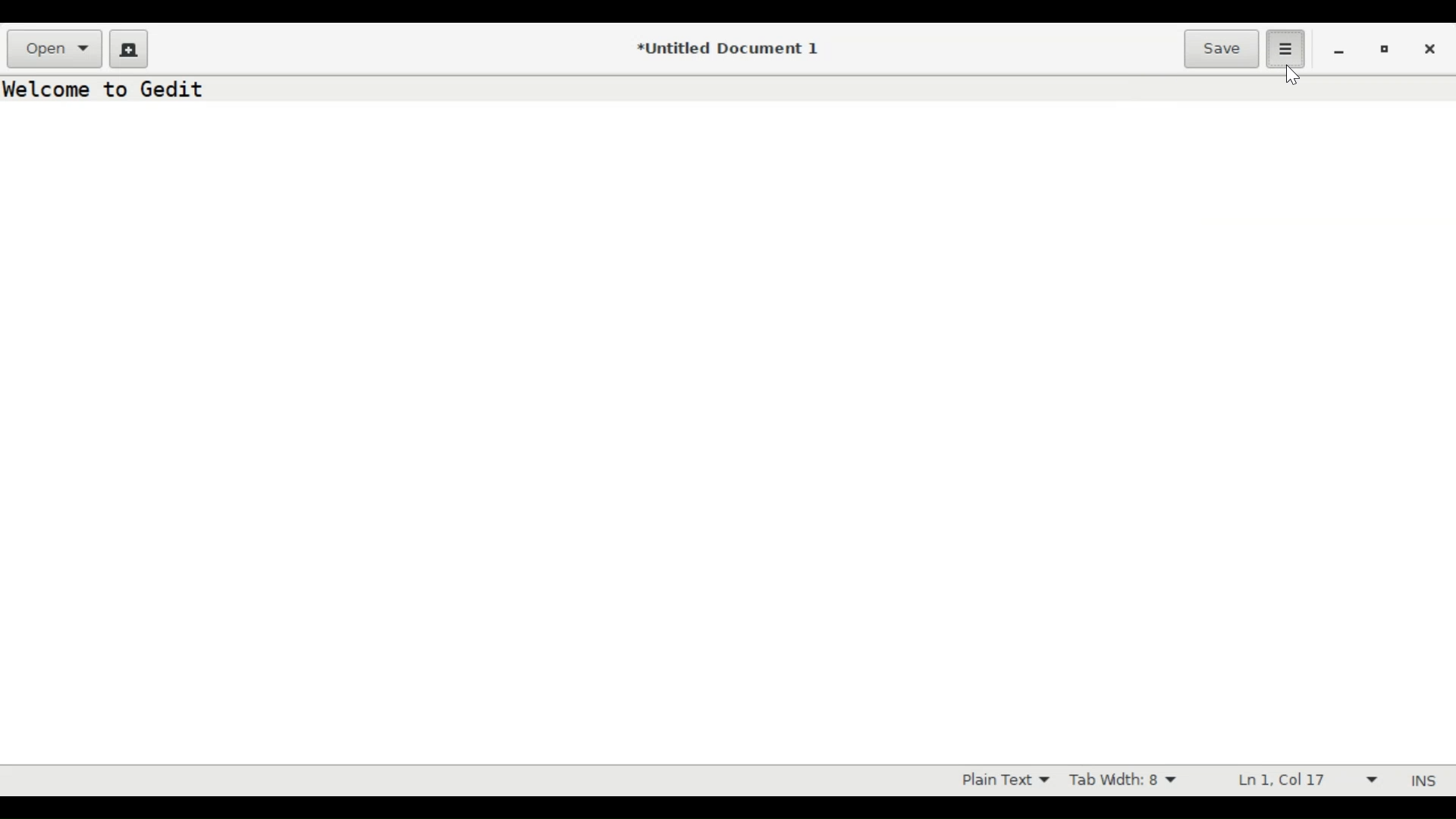 The width and height of the screenshot is (1456, 819). I want to click on Application menu, so click(1286, 49).